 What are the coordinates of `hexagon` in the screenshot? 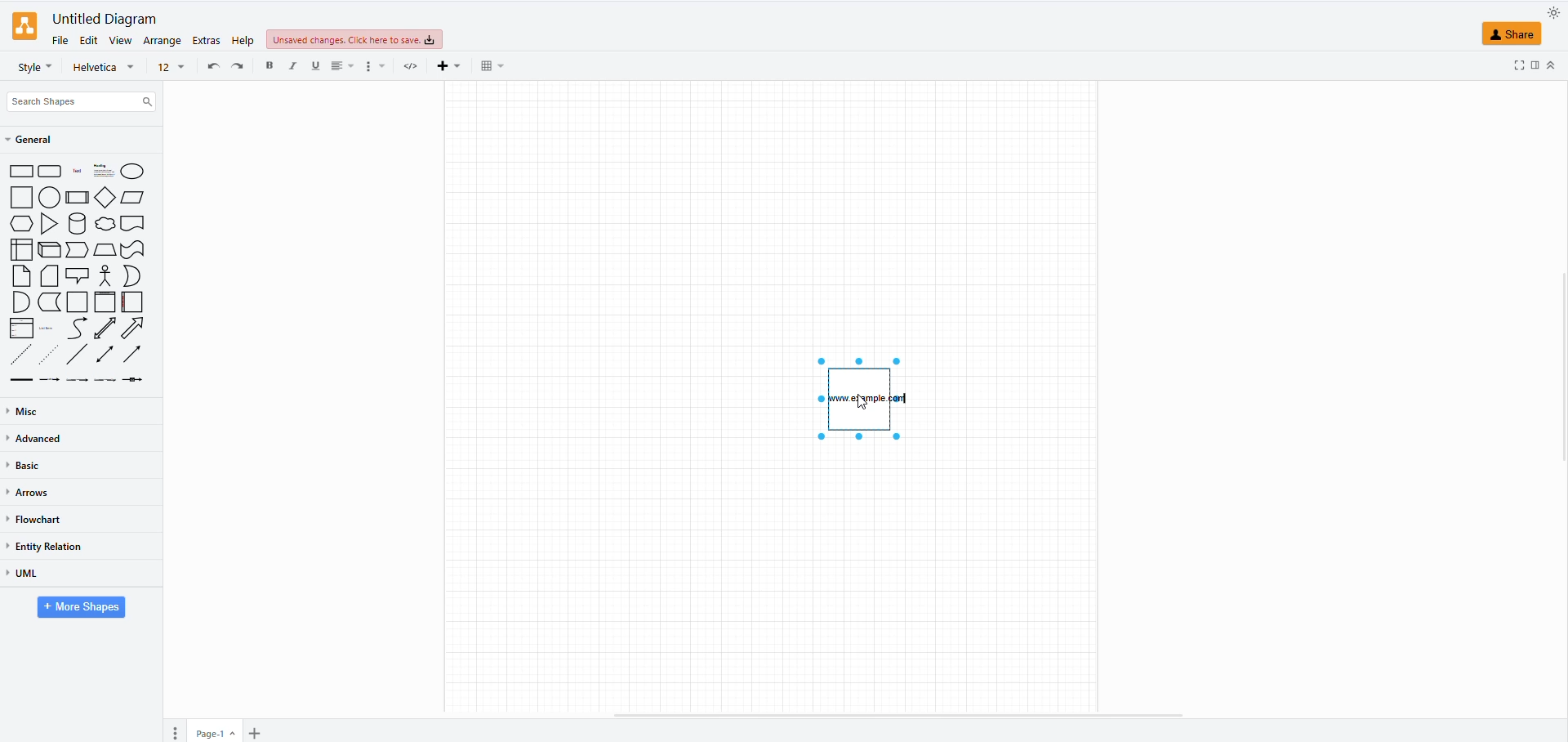 It's located at (22, 225).